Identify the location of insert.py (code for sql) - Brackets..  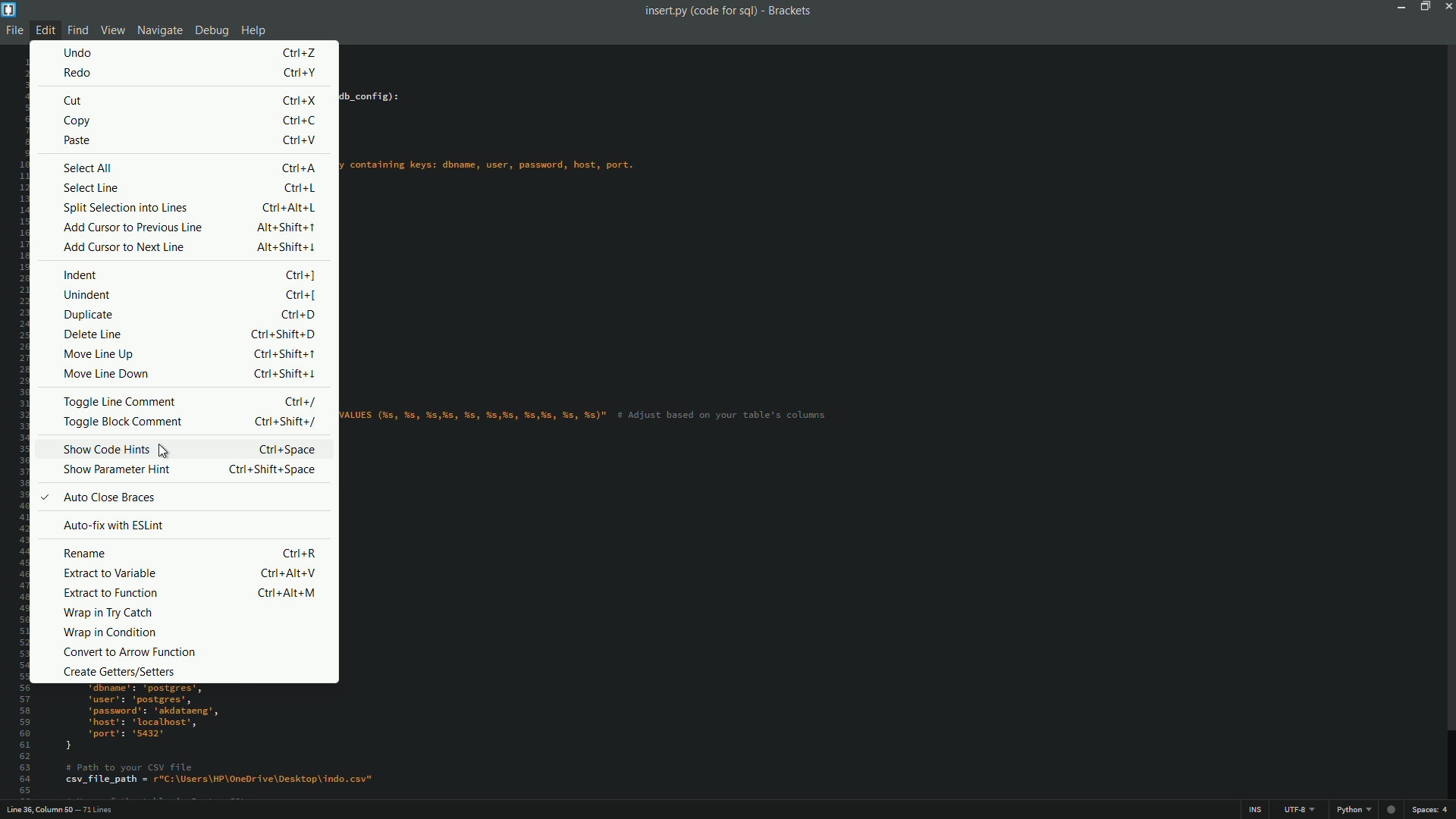
(726, 11).